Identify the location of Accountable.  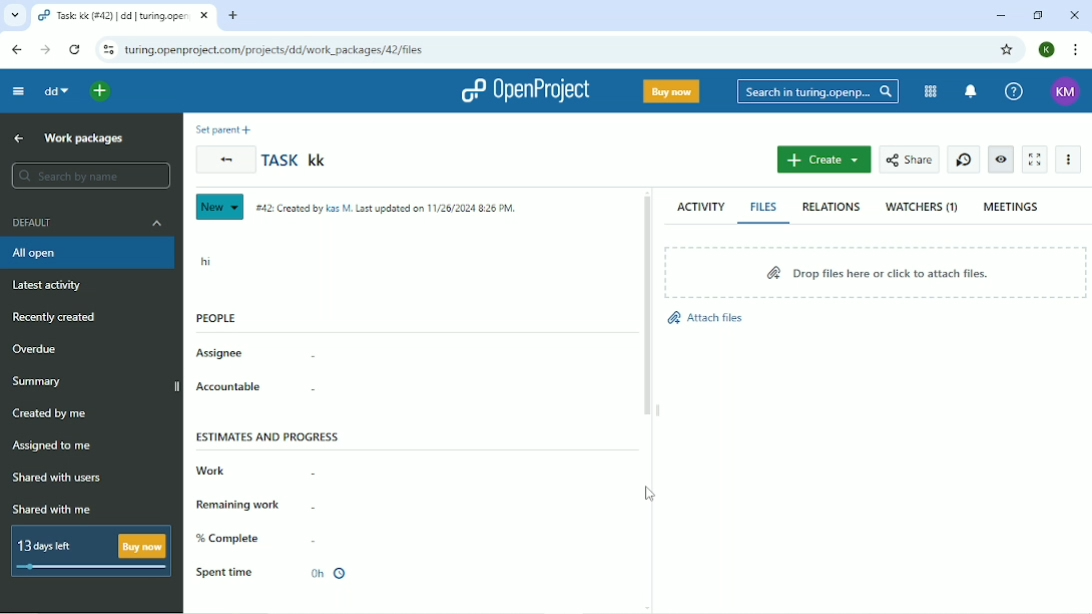
(230, 387).